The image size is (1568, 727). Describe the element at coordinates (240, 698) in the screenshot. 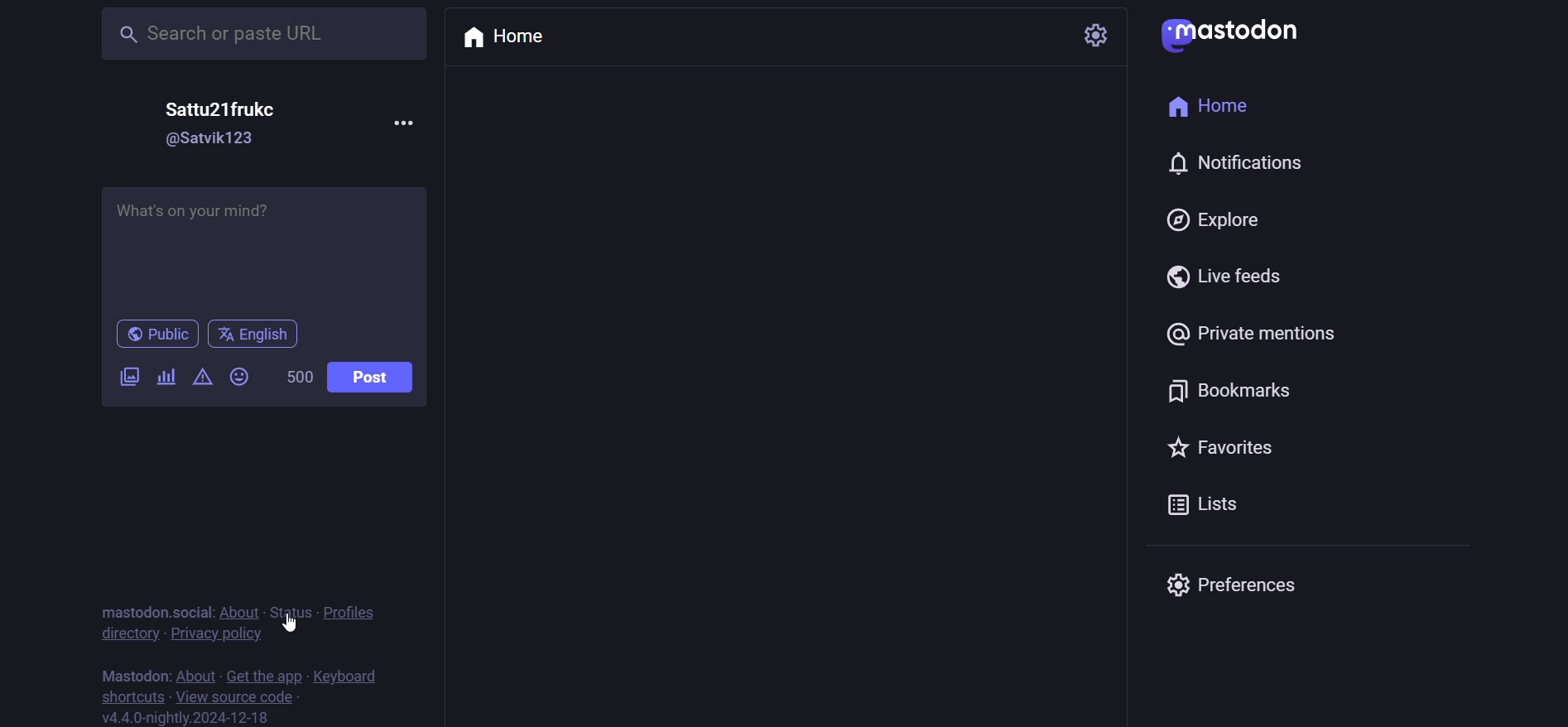

I see `source code` at that location.